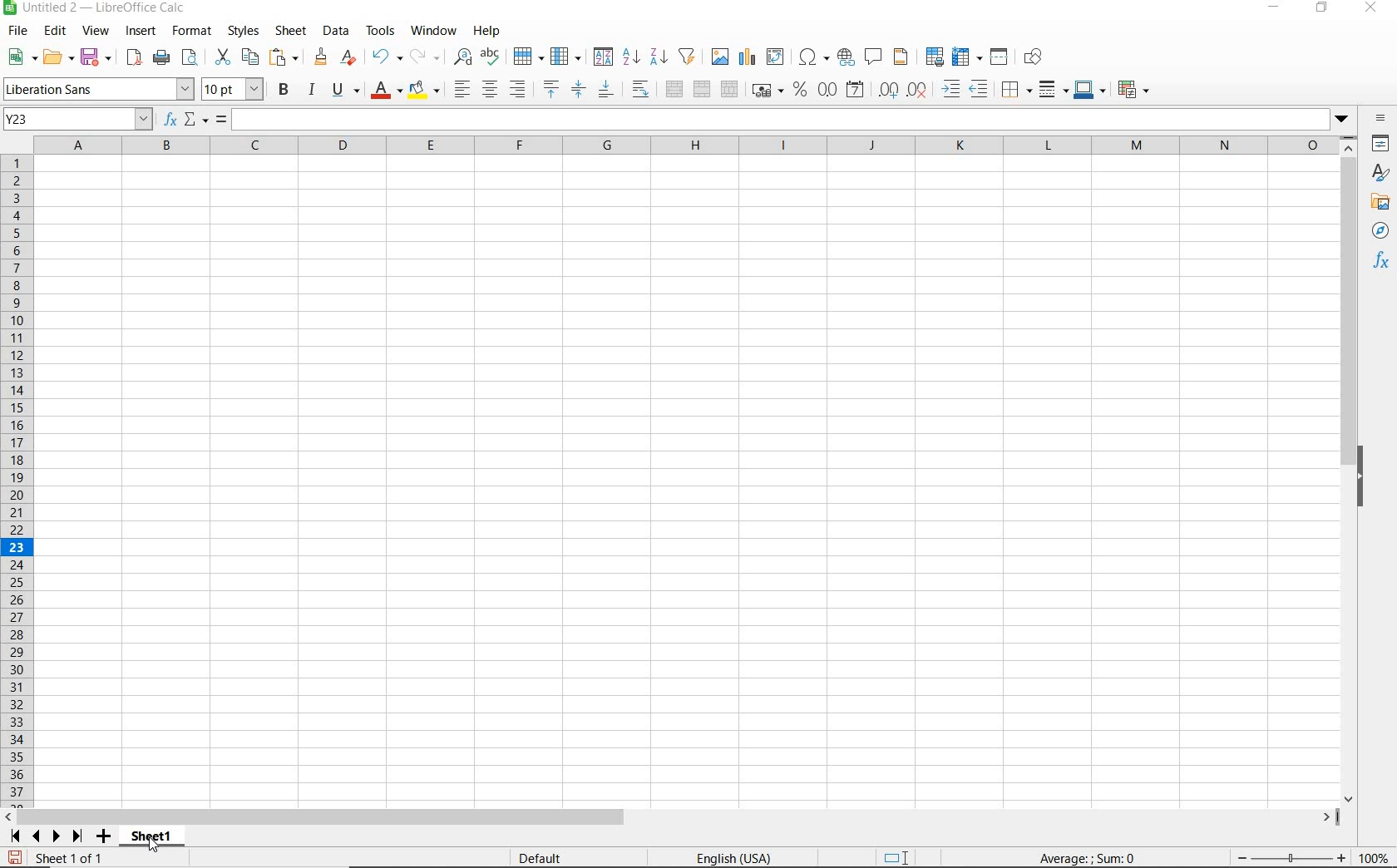  I want to click on FORMULA, so click(222, 120).